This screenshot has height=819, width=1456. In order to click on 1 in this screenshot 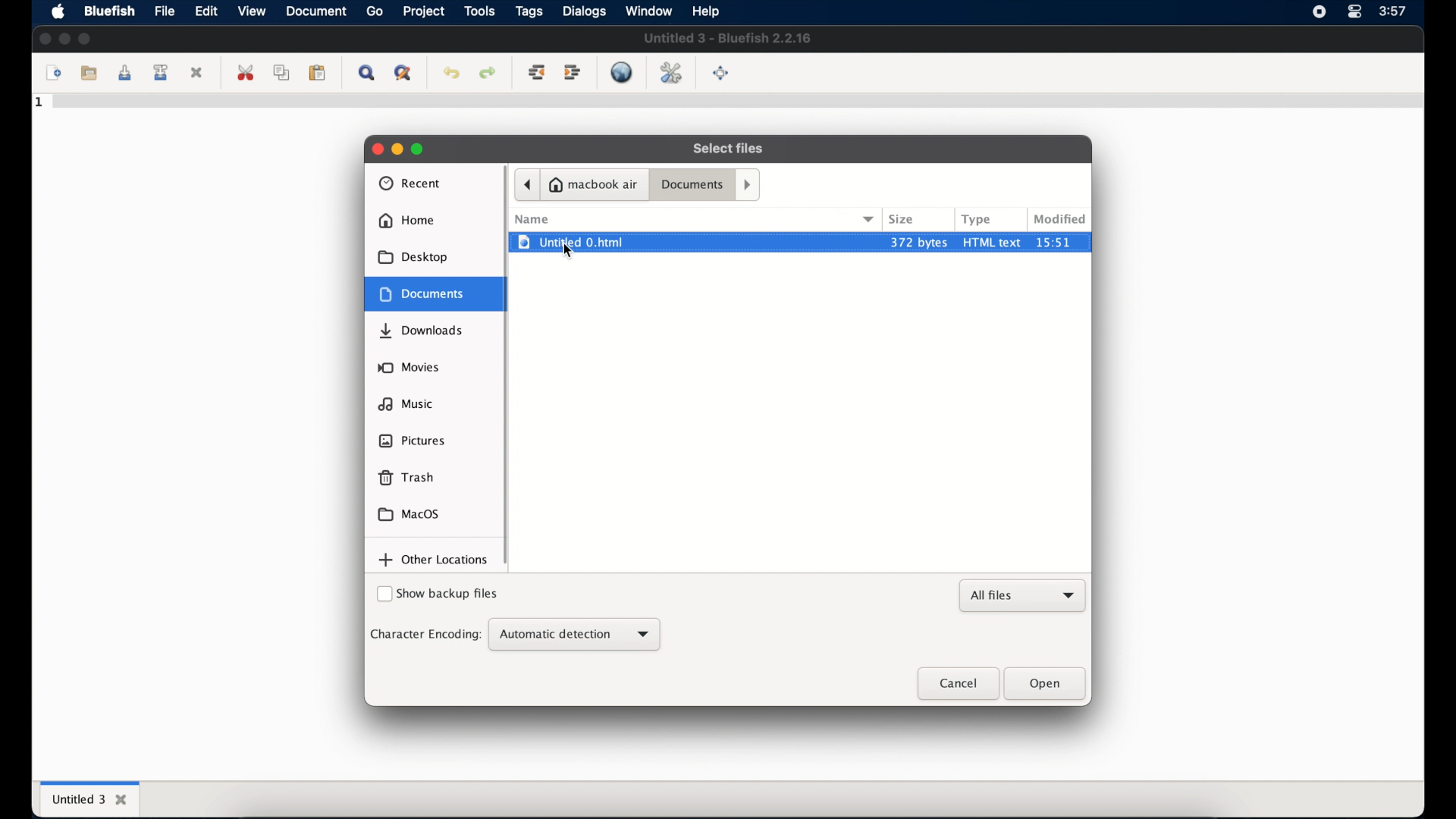, I will do `click(40, 102)`.